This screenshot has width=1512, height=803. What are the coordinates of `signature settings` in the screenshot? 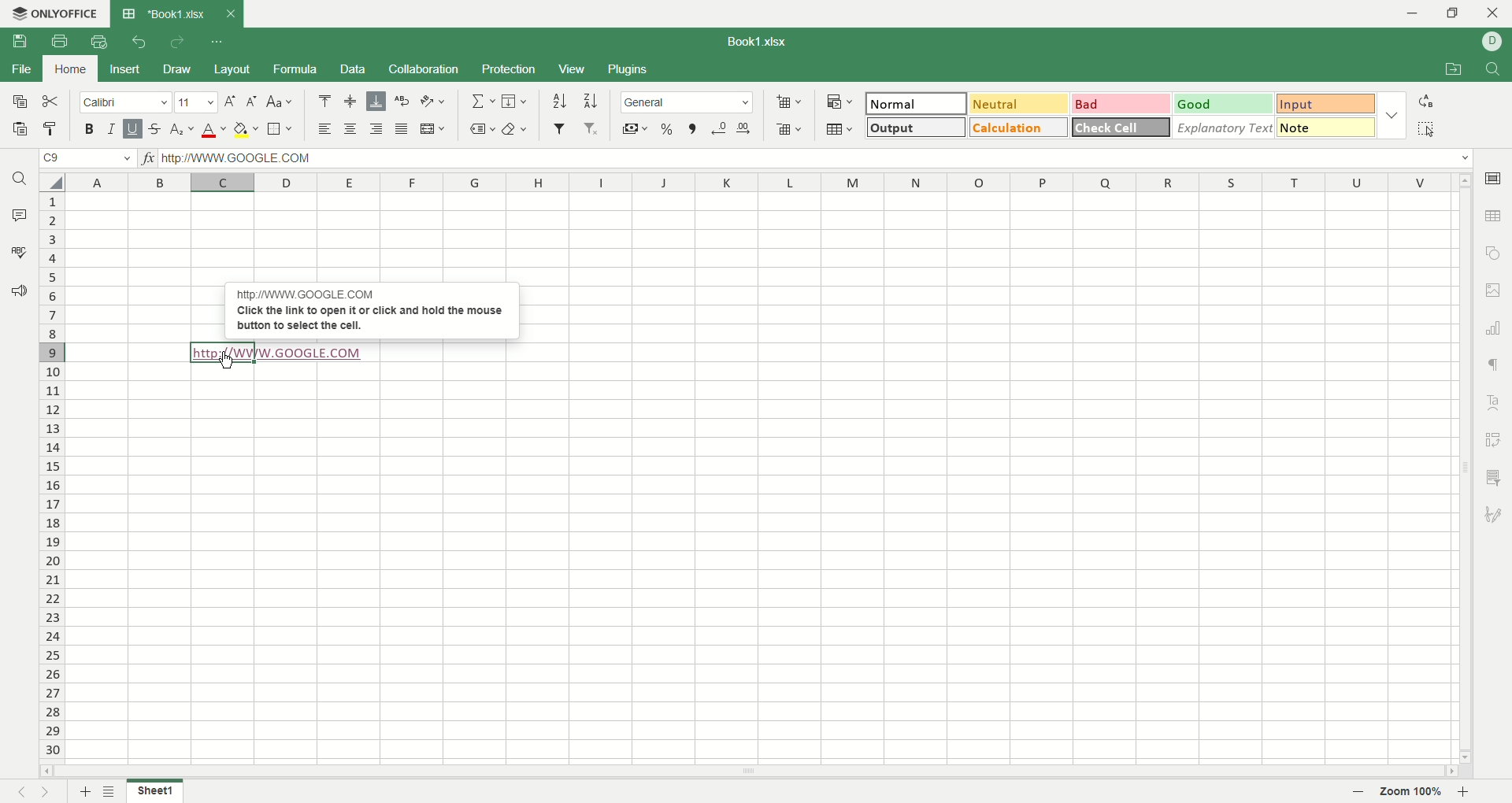 It's located at (1495, 516).